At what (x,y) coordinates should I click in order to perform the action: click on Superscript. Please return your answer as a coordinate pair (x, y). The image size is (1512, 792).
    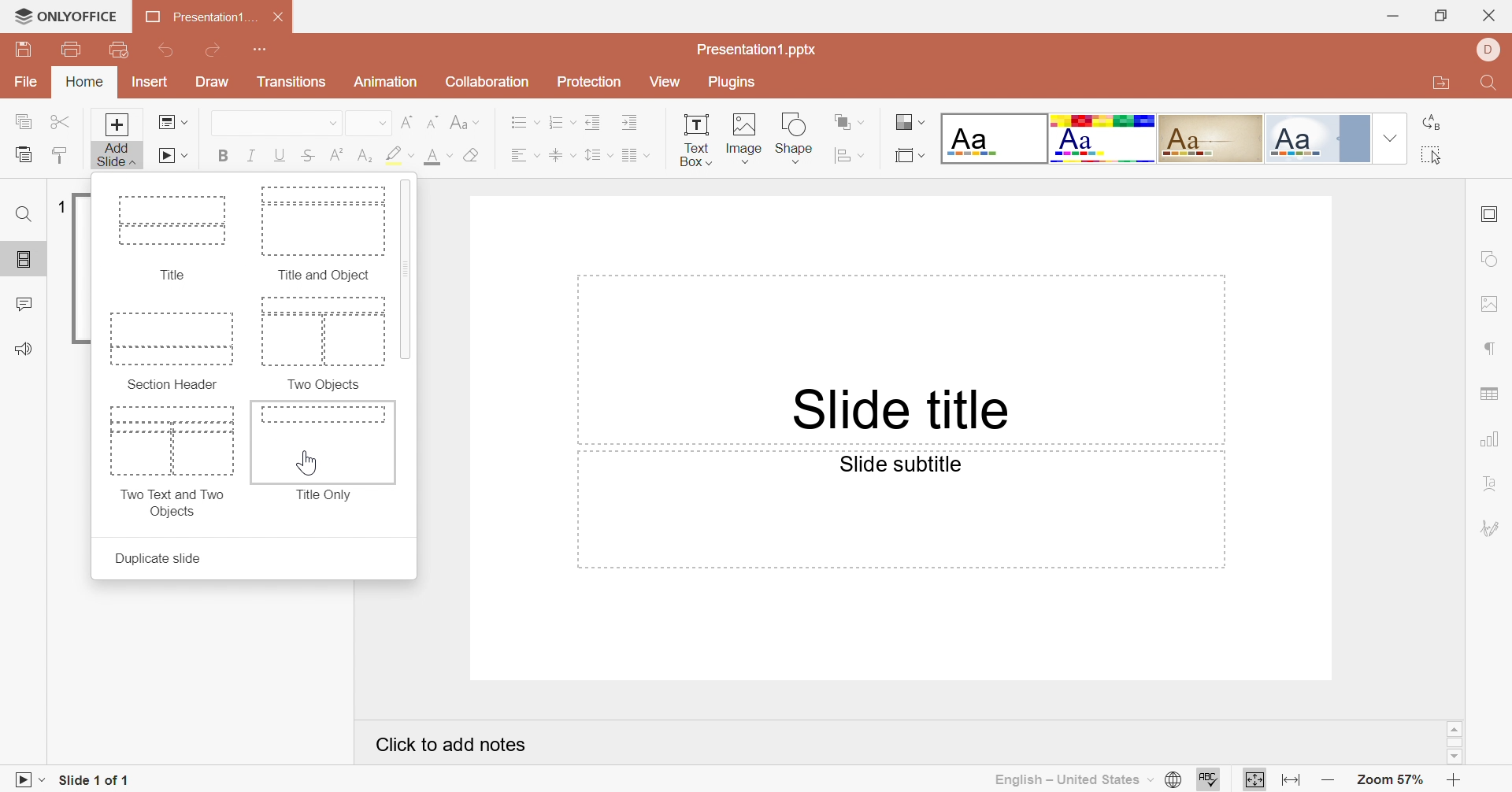
    Looking at the image, I should click on (335, 155).